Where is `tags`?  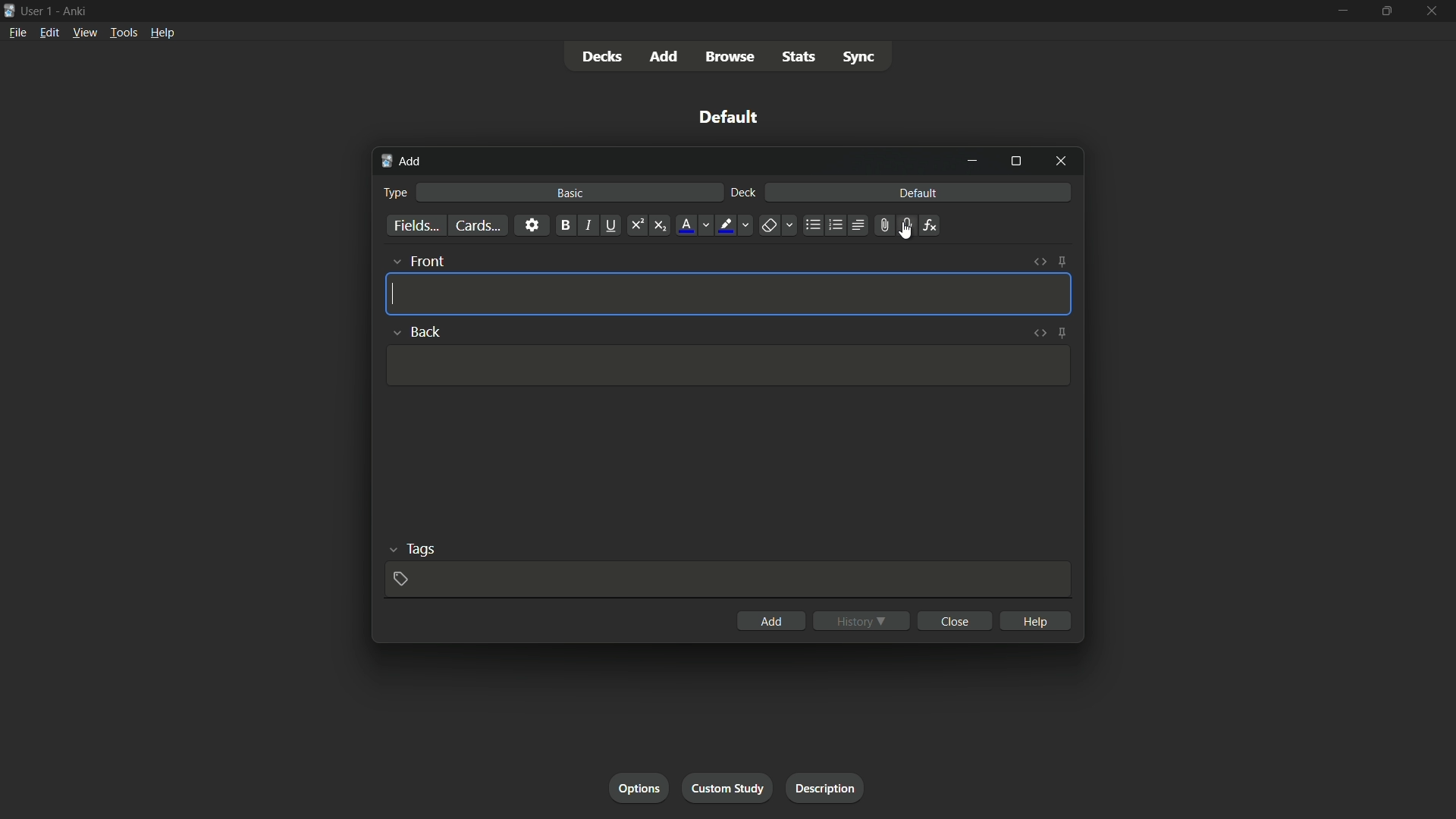 tags is located at coordinates (420, 551).